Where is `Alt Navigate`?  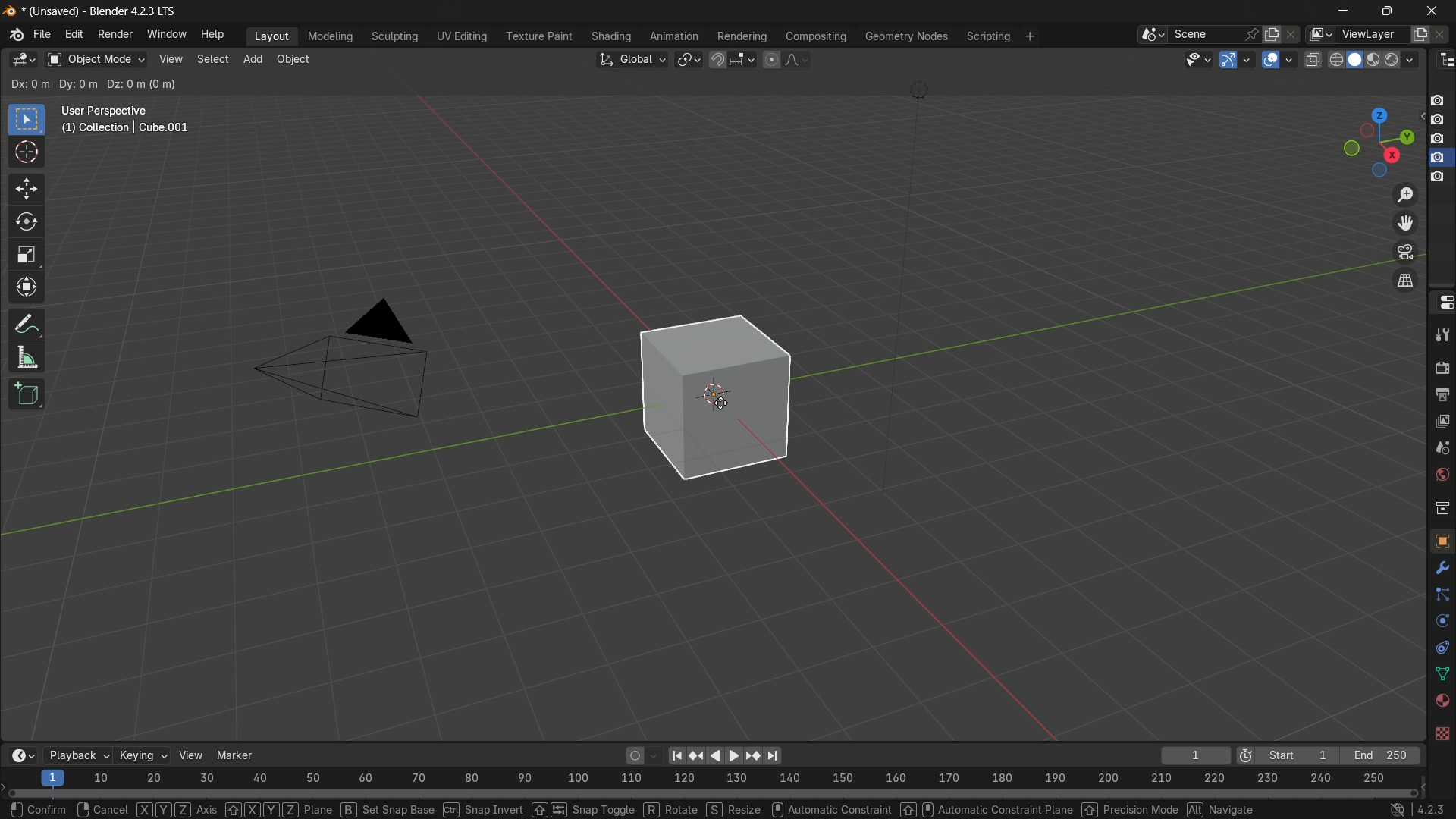 Alt Navigate is located at coordinates (1219, 810).